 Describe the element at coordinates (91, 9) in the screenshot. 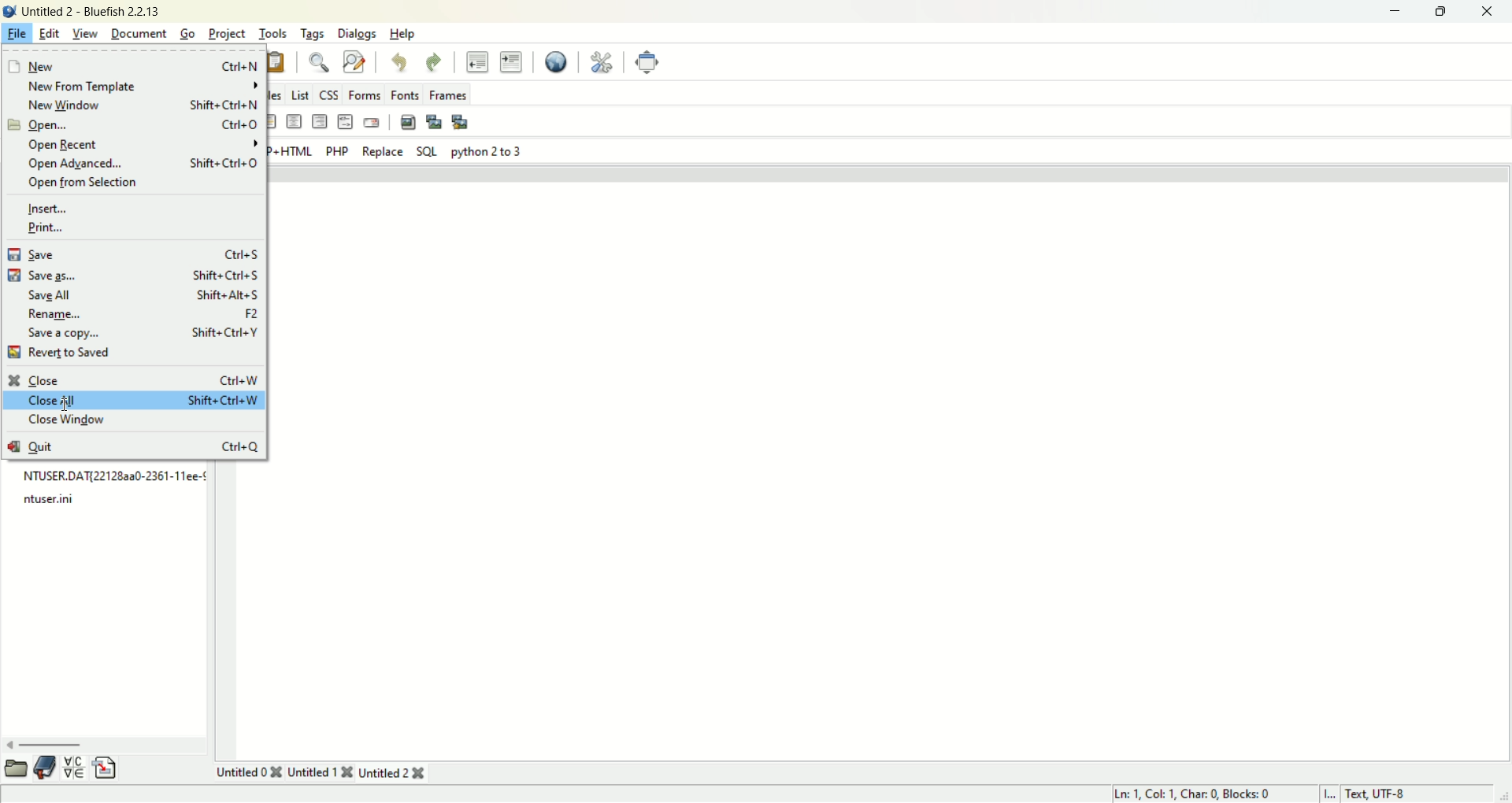

I see `untitled2-Bluefish 2.2.13` at that location.